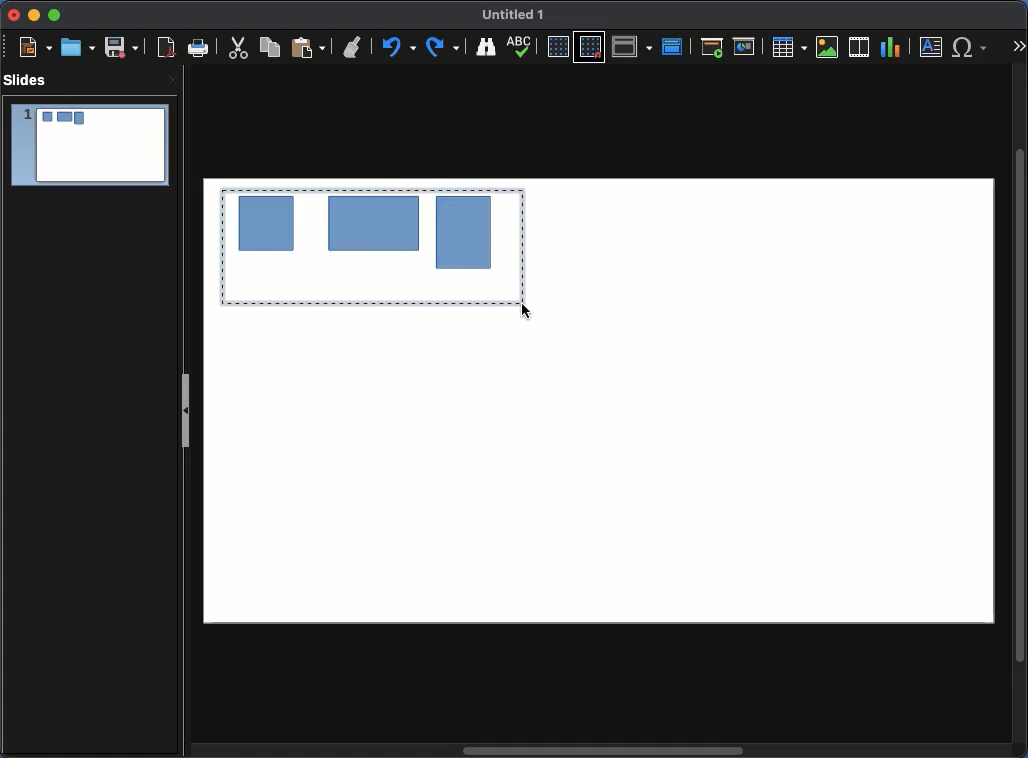  Describe the element at coordinates (445, 47) in the screenshot. I see `Redo` at that location.